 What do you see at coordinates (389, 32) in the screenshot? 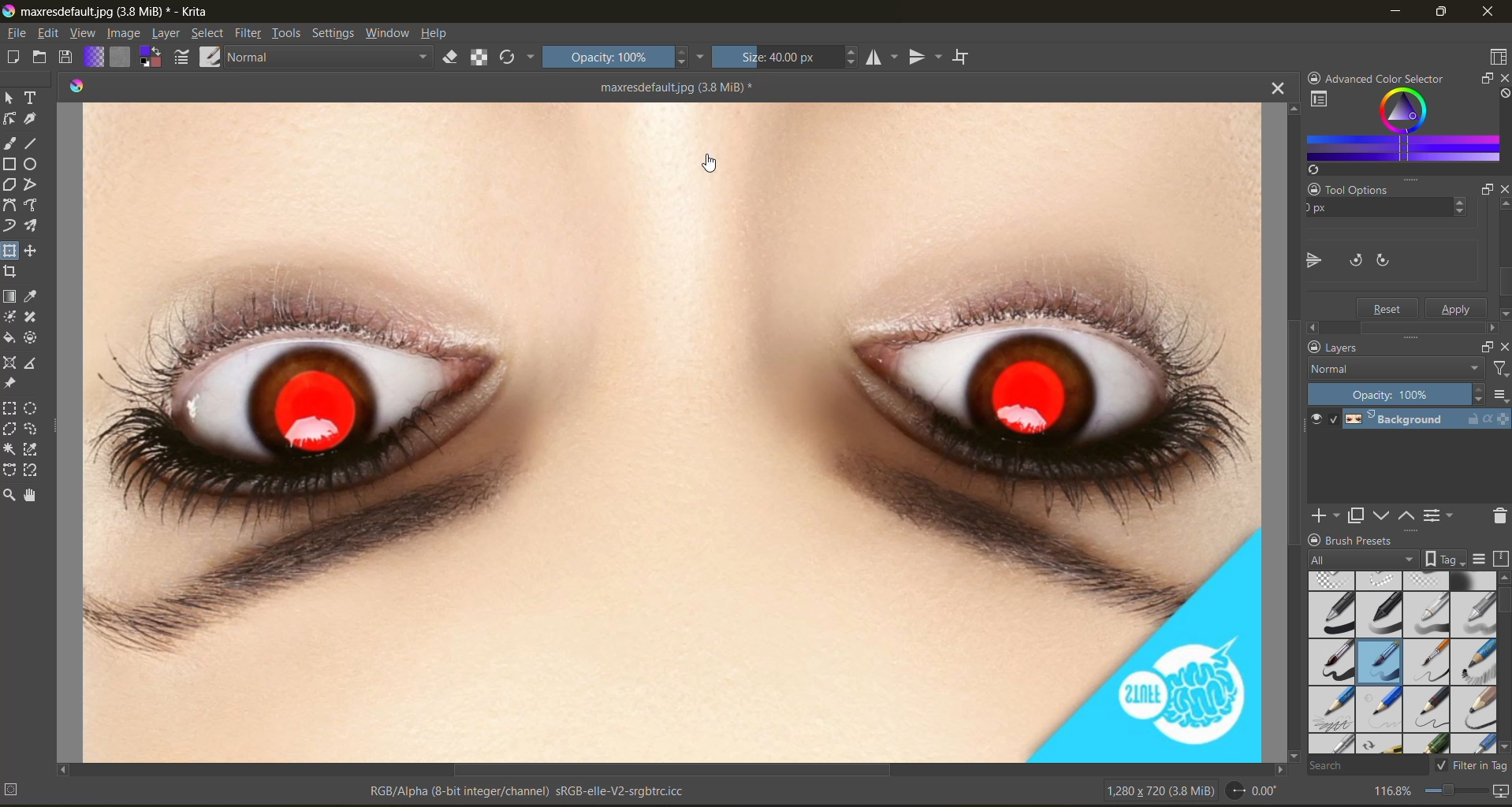
I see `window` at bounding box center [389, 32].